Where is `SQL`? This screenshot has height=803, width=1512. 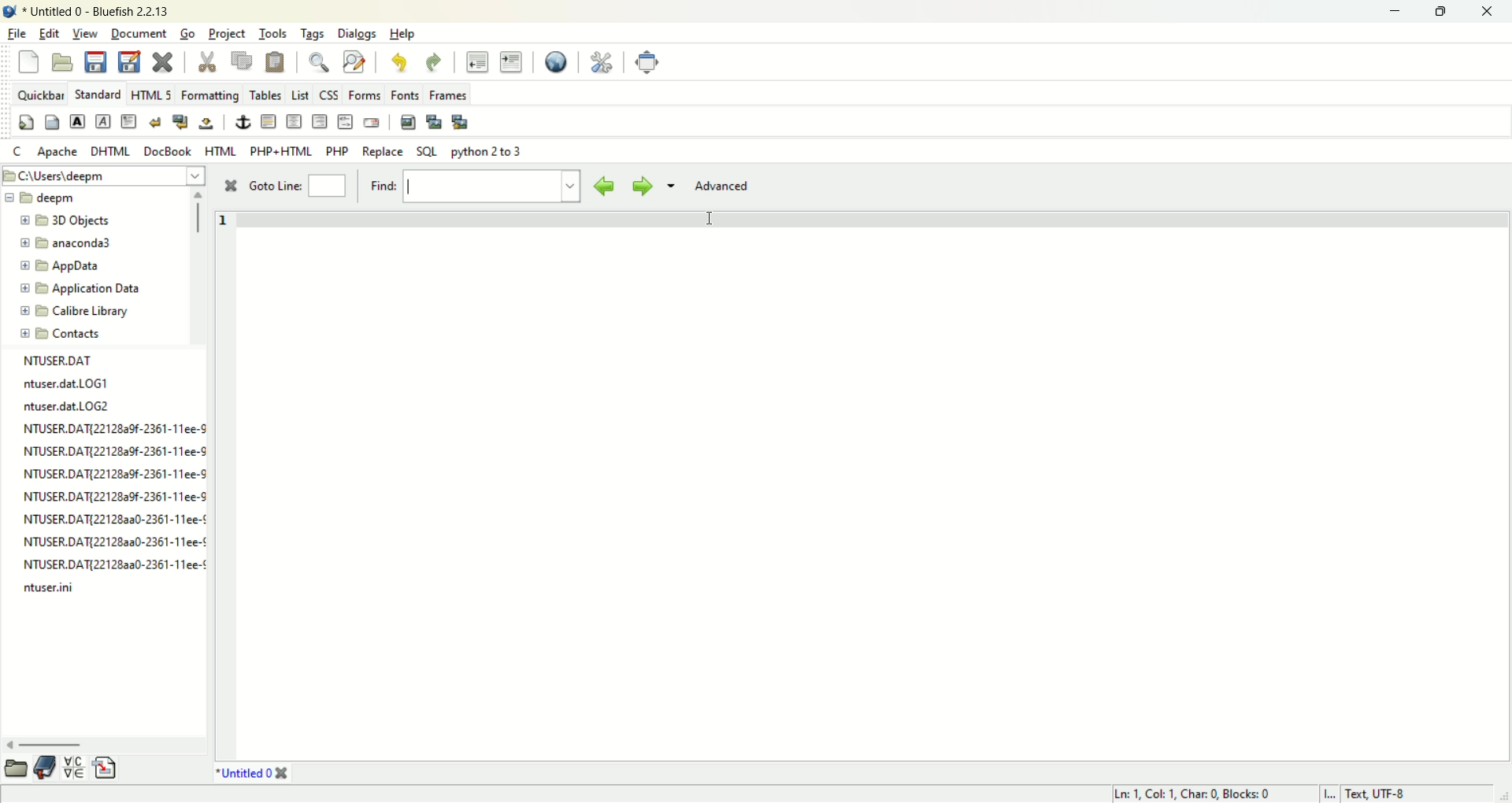 SQL is located at coordinates (427, 152).